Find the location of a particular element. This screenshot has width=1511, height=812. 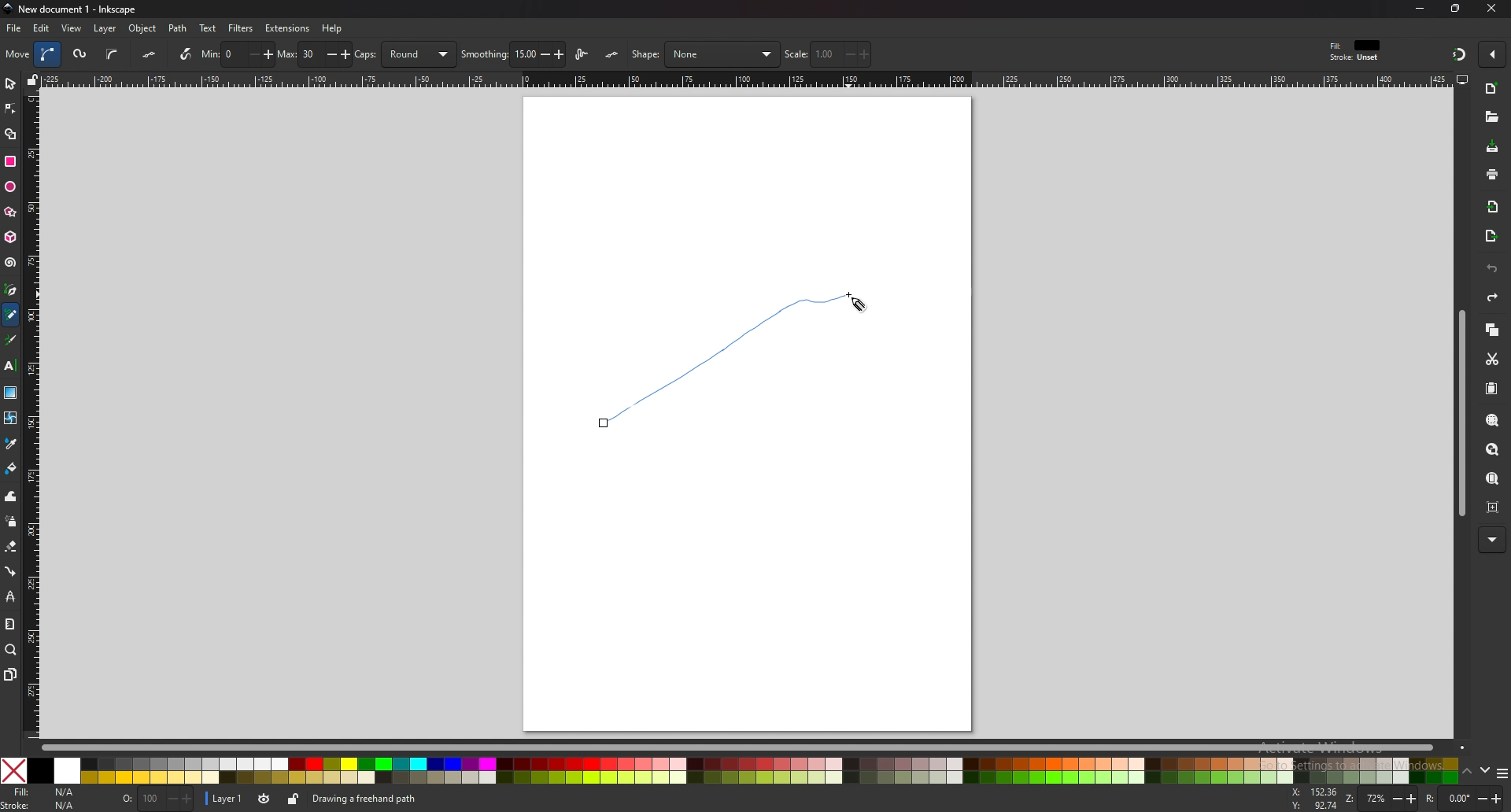

info is located at coordinates (371, 799).